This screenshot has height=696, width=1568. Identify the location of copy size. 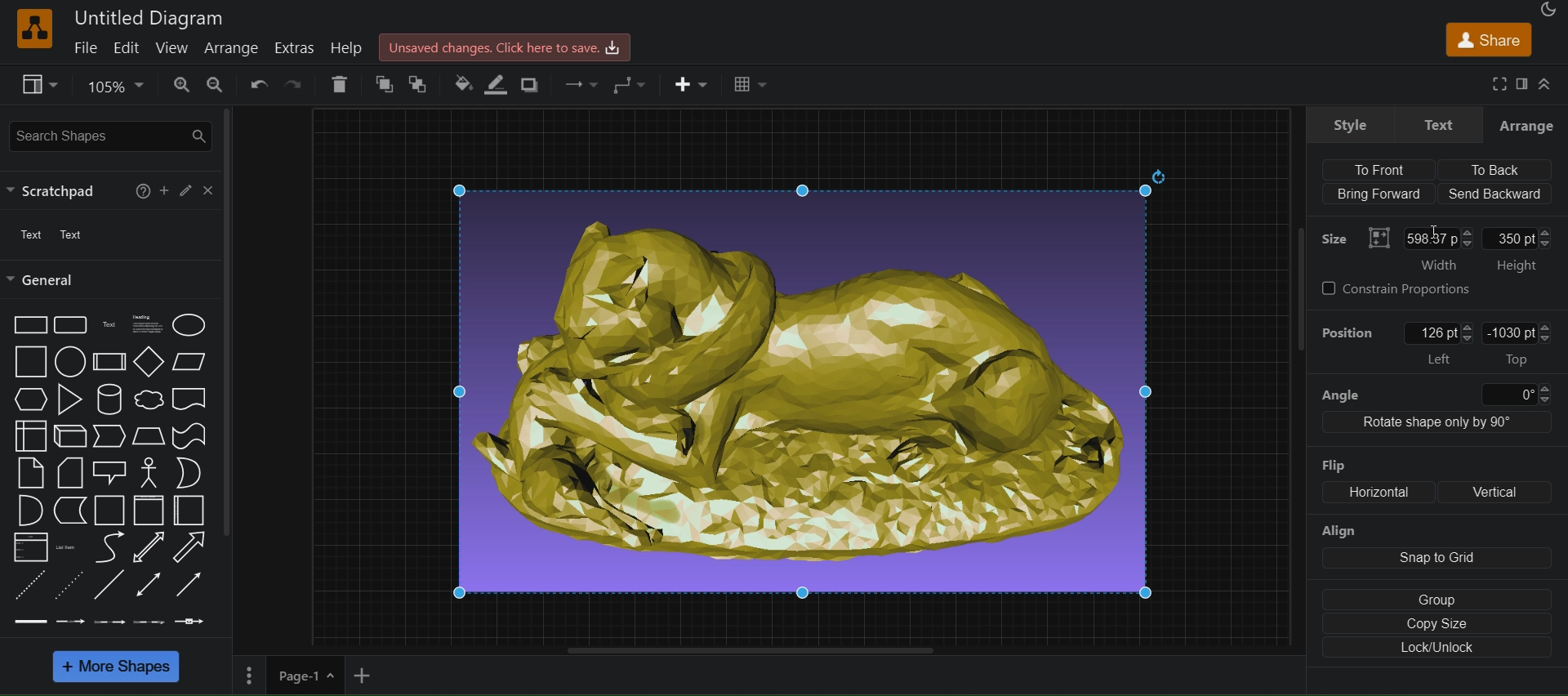
(1437, 624).